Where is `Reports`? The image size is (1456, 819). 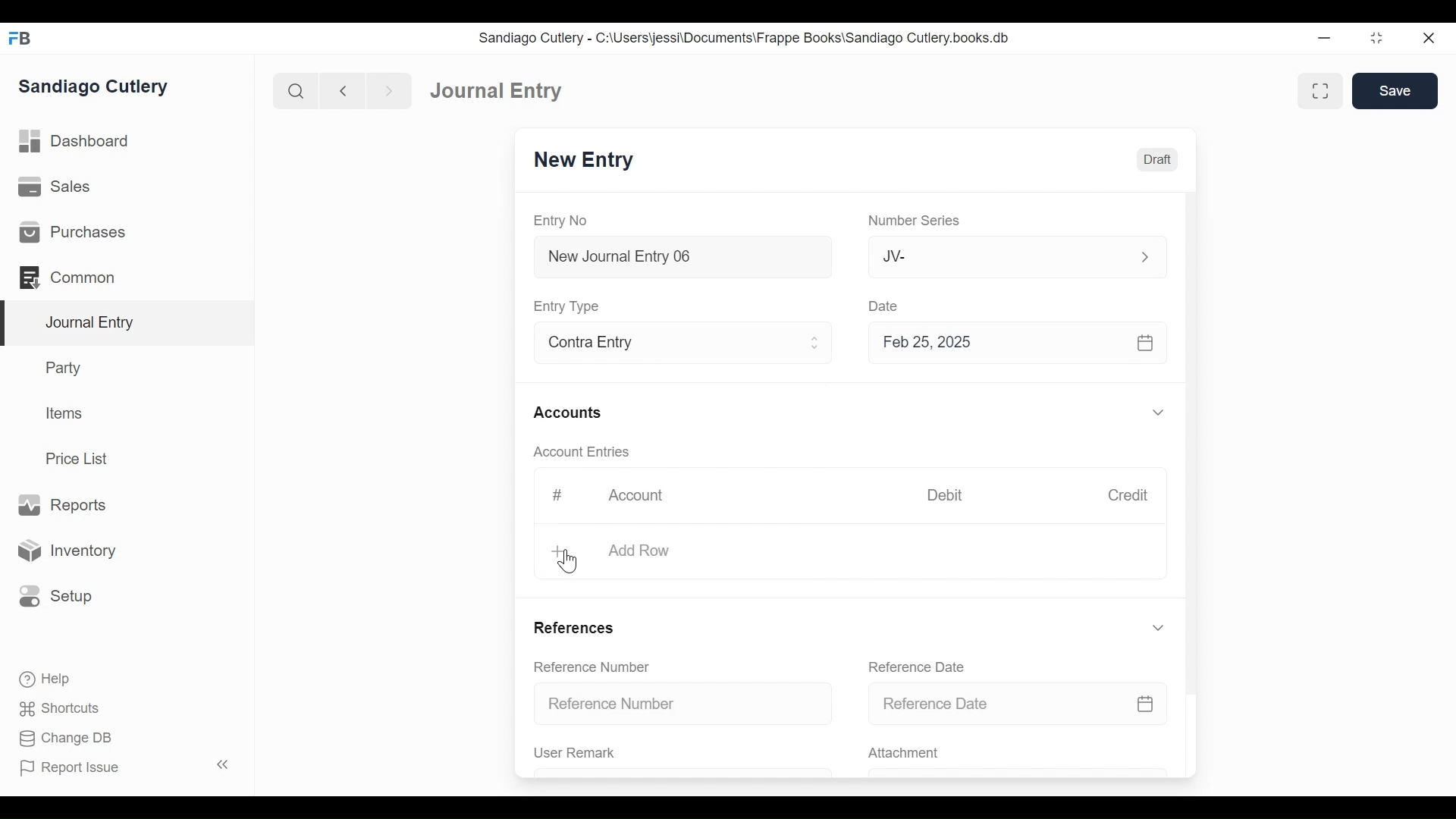
Reports is located at coordinates (61, 506).